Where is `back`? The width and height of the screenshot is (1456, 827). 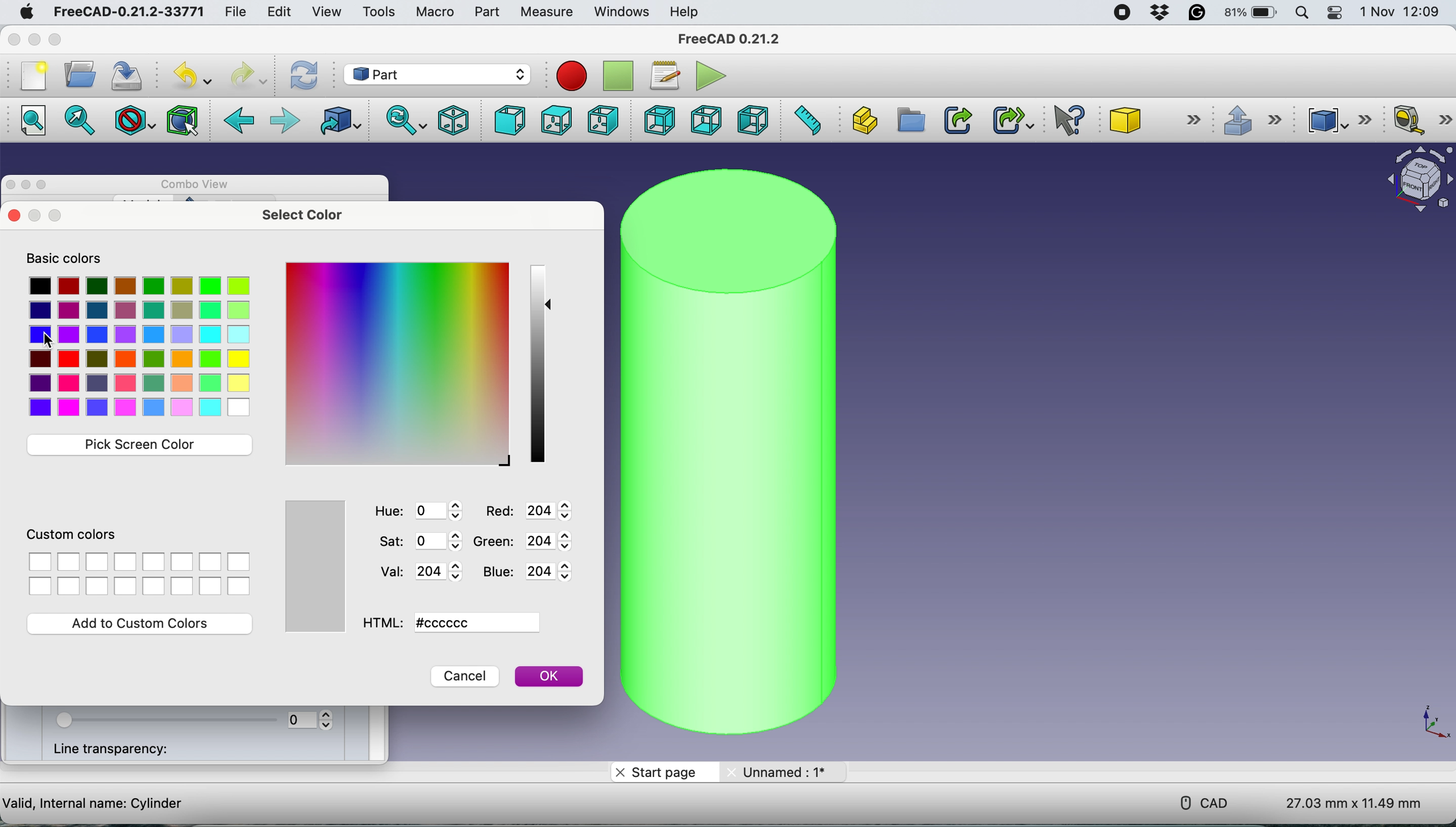 back is located at coordinates (240, 120).